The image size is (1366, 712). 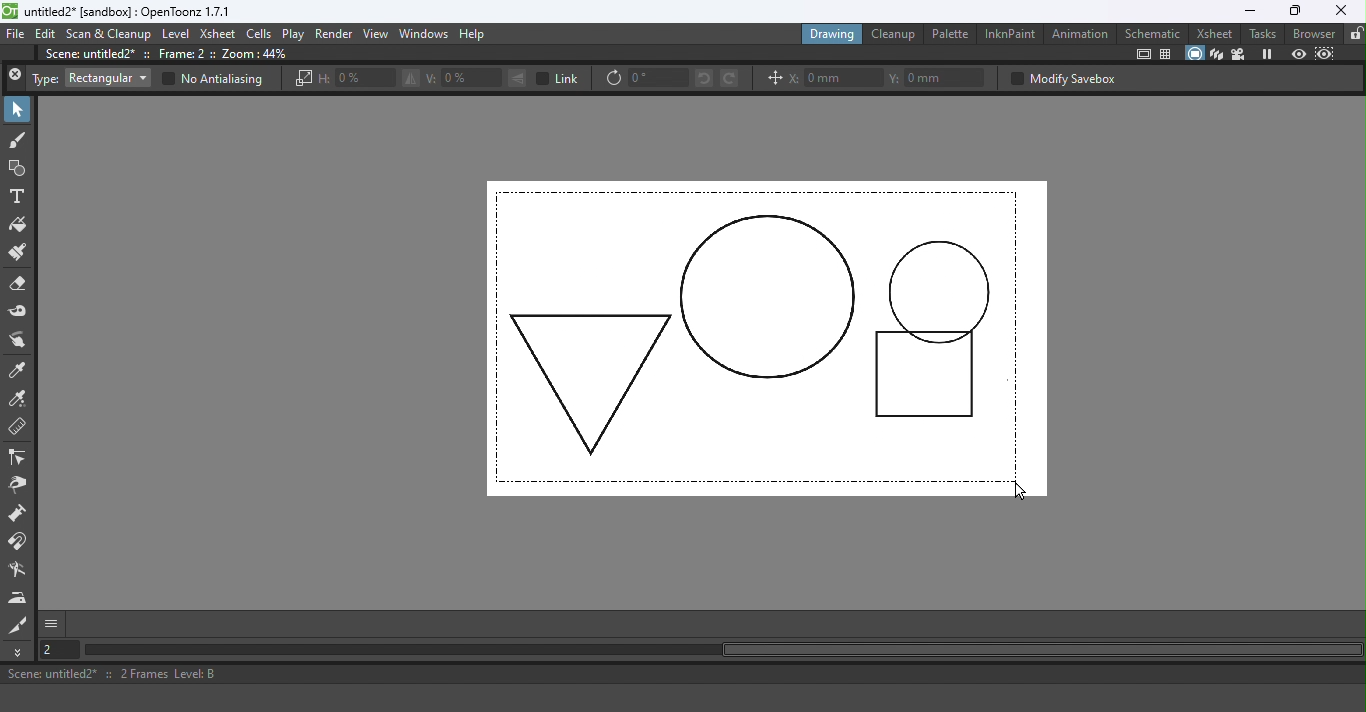 What do you see at coordinates (1062, 78) in the screenshot?
I see `Modify savebox` at bounding box center [1062, 78].